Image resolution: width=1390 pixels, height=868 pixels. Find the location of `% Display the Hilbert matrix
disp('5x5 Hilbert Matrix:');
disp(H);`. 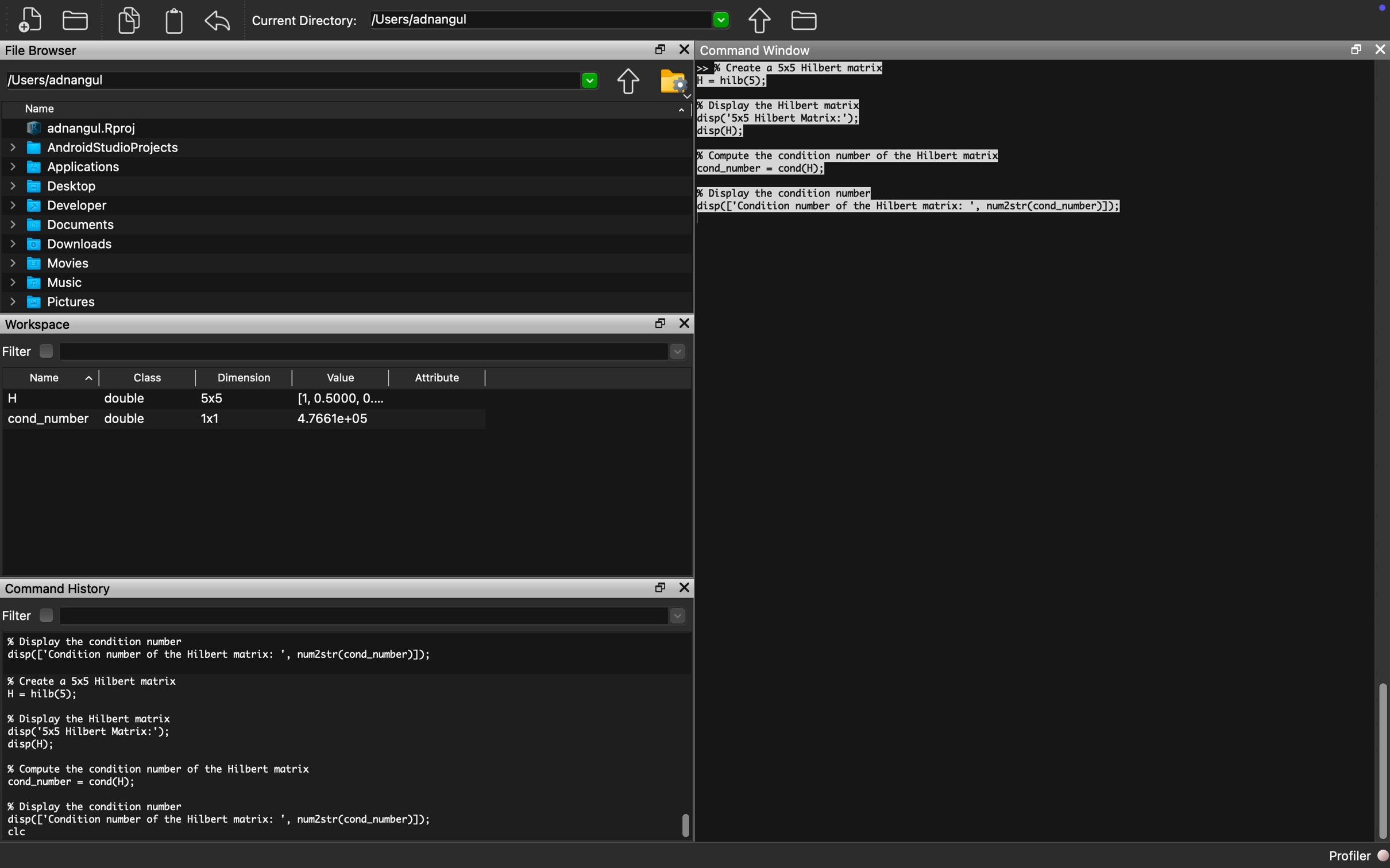

% Display the Hilbert matrix
disp('5x5 Hilbert Matrix:');
disp(H); is located at coordinates (96, 731).